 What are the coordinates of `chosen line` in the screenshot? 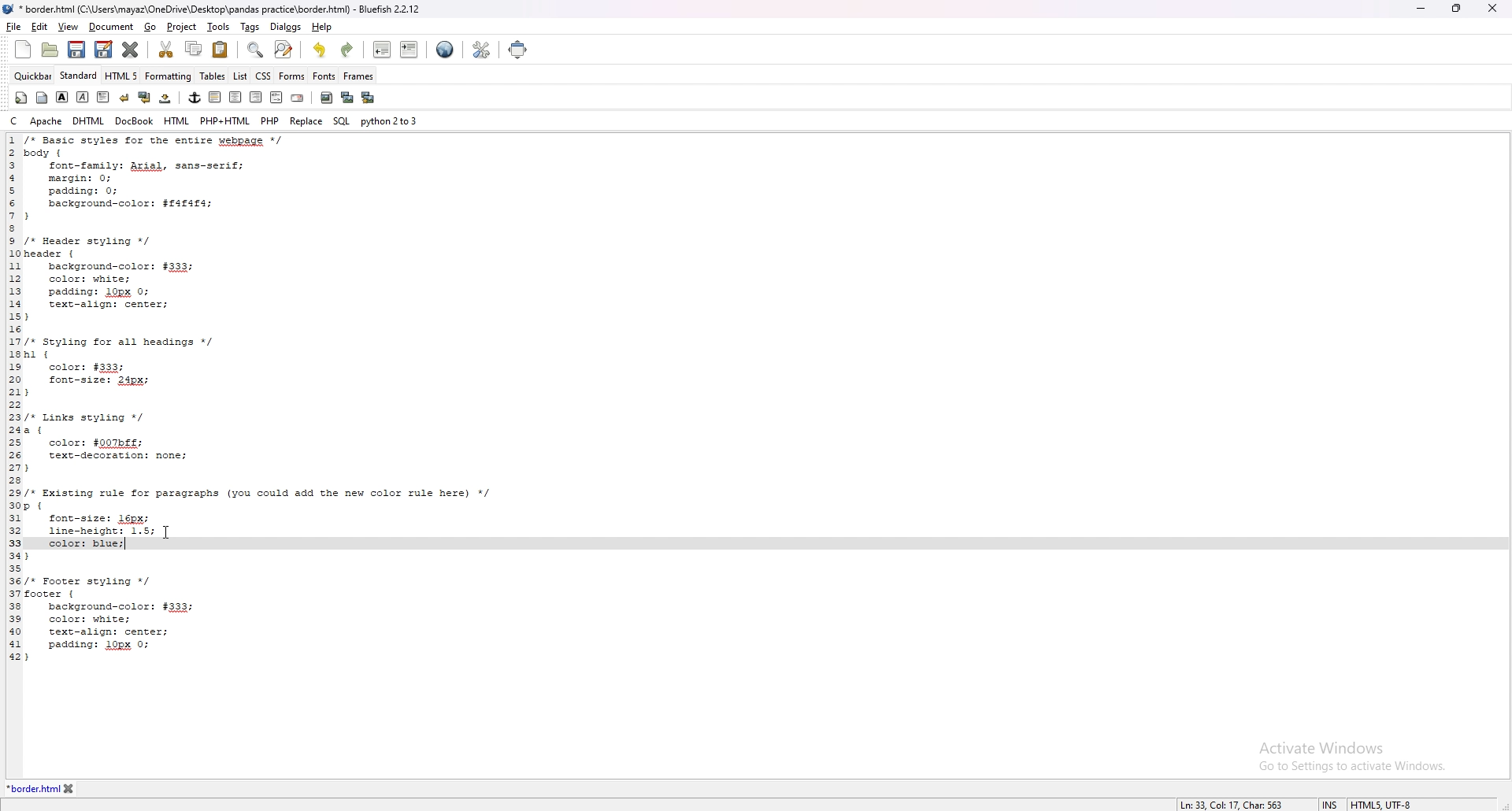 It's located at (113, 531).